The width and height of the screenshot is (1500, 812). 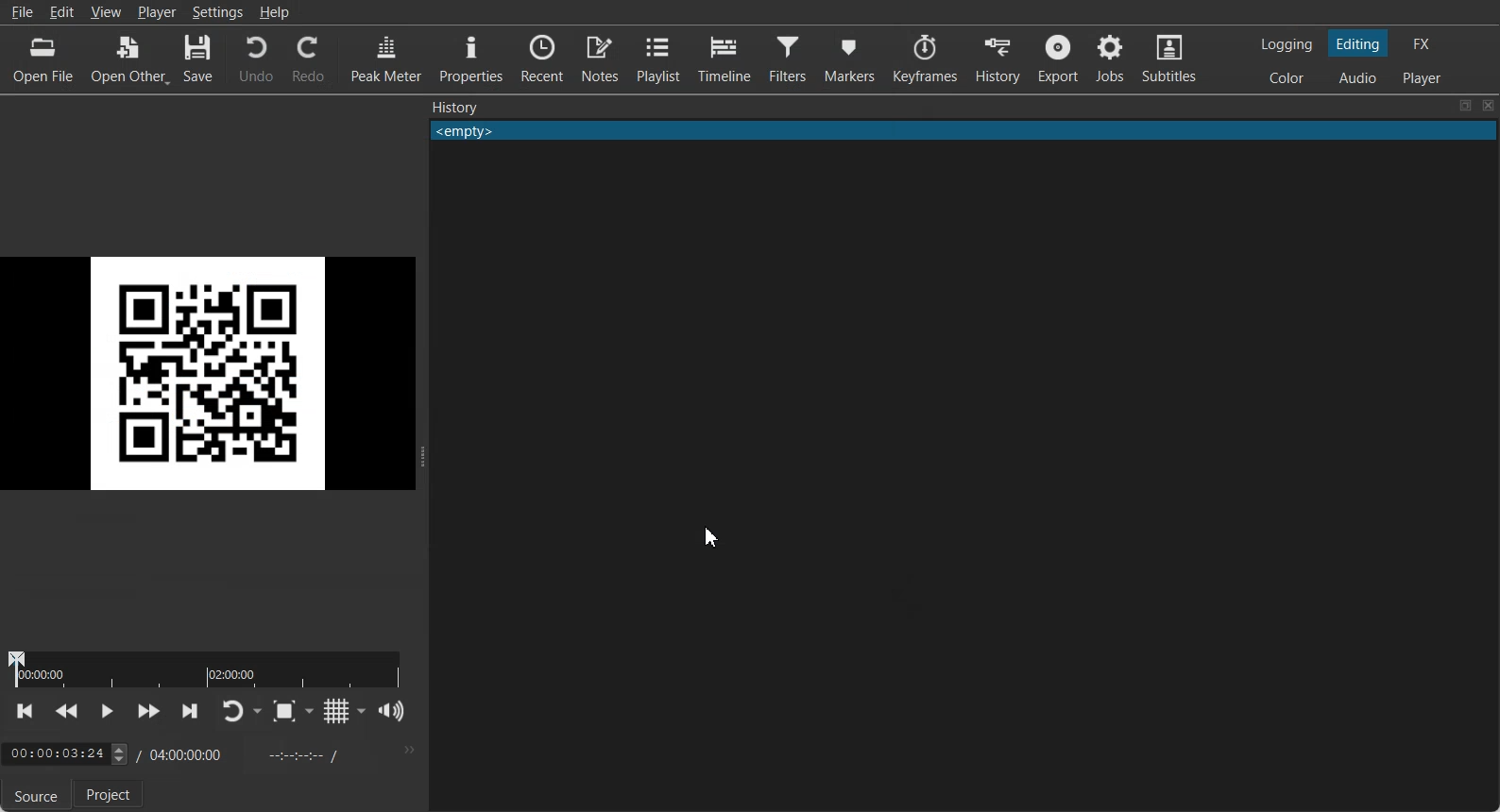 What do you see at coordinates (105, 713) in the screenshot?
I see `Toggle Play or Pause` at bounding box center [105, 713].